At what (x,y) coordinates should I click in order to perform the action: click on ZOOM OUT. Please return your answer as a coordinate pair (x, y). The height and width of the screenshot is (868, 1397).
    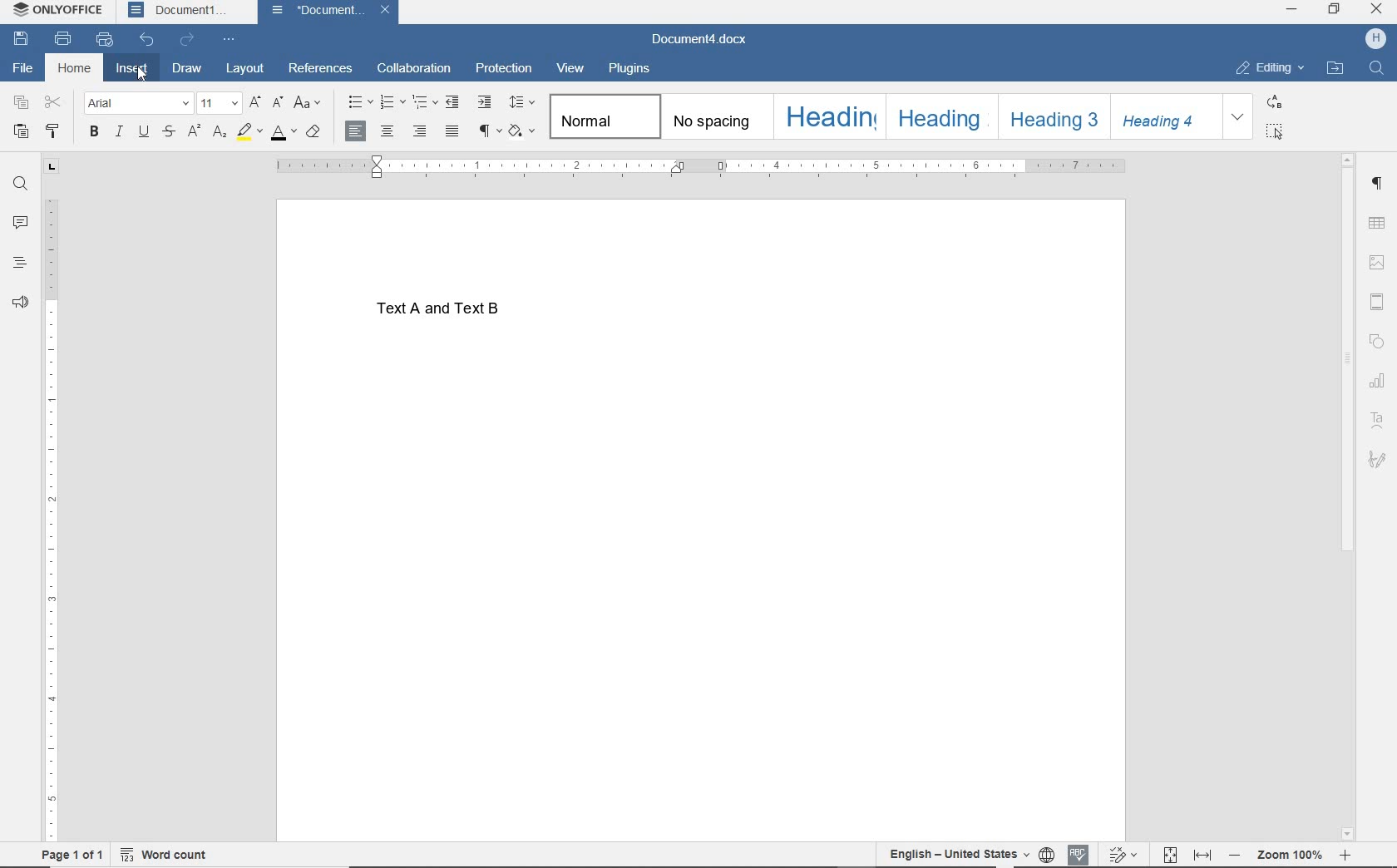
    Looking at the image, I should click on (1290, 855).